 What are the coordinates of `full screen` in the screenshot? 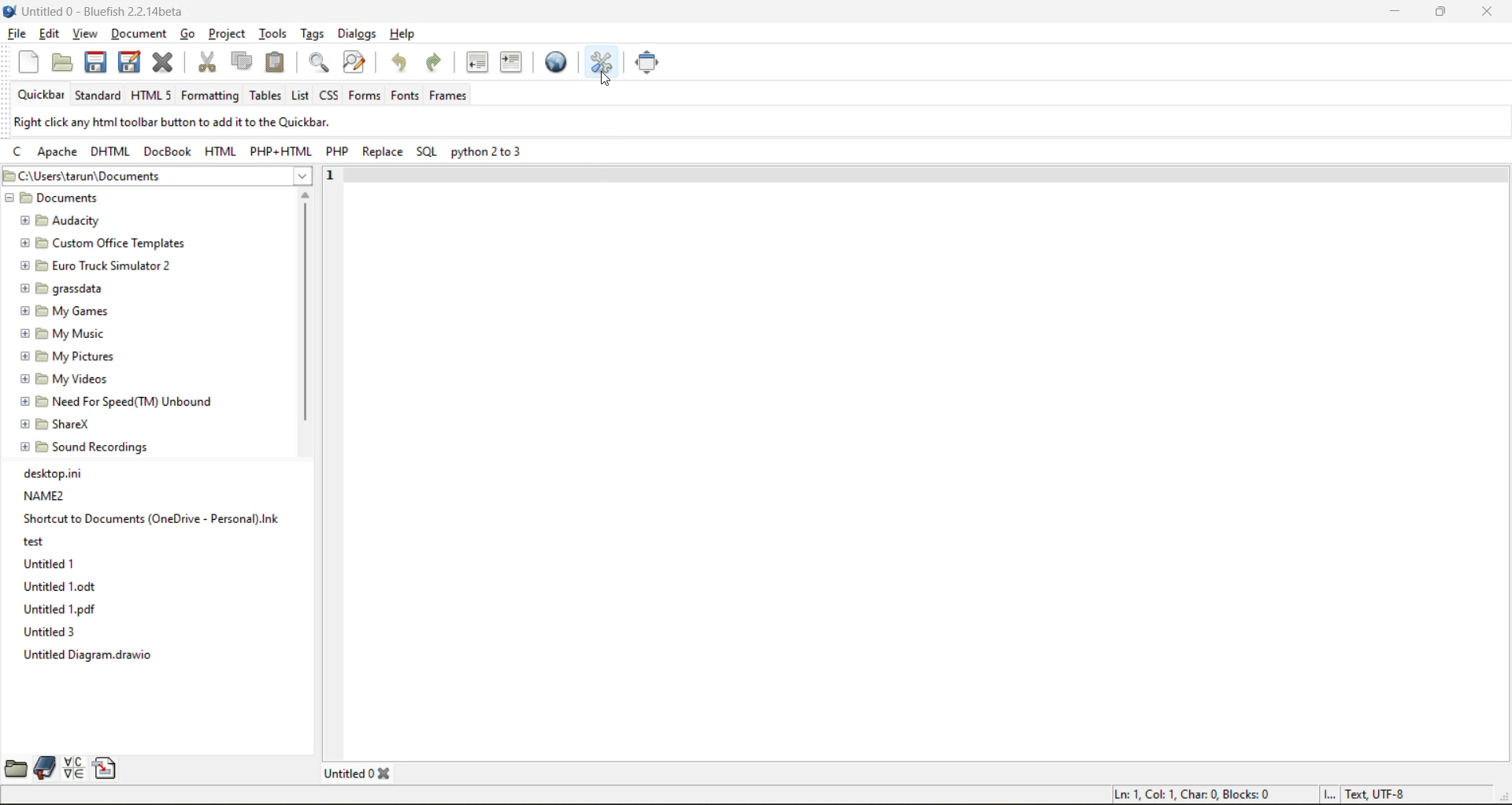 It's located at (648, 64).